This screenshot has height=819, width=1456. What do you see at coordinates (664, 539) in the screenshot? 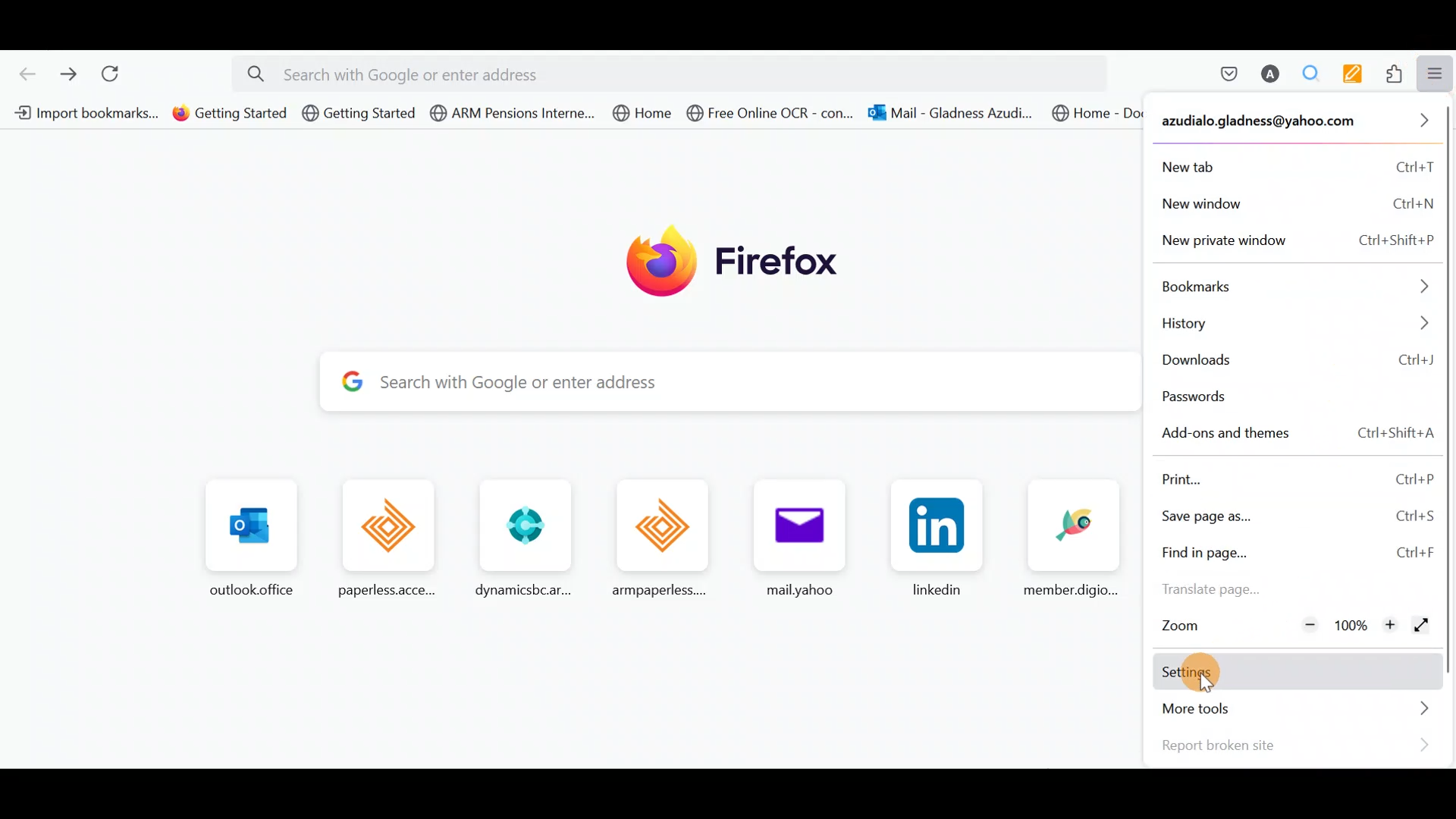
I see `Frequently browsed pages` at bounding box center [664, 539].